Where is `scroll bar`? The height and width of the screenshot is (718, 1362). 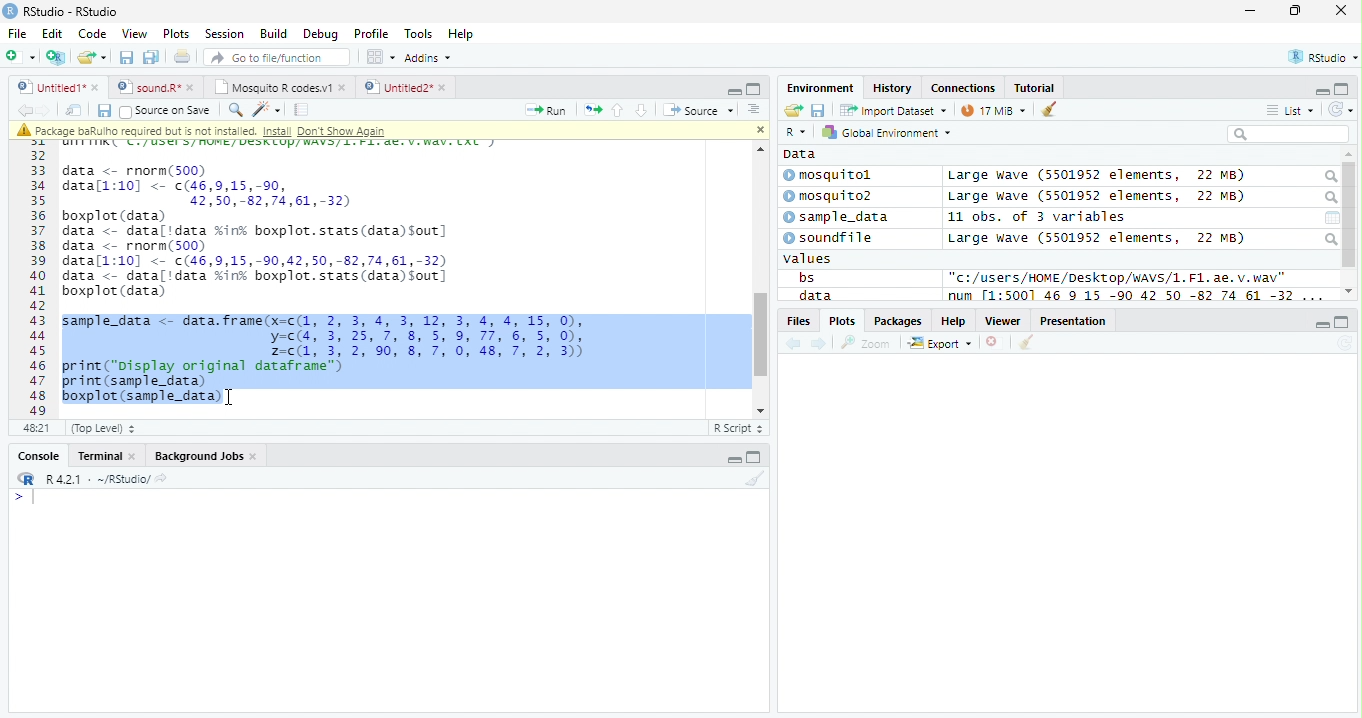 scroll bar is located at coordinates (1350, 215).